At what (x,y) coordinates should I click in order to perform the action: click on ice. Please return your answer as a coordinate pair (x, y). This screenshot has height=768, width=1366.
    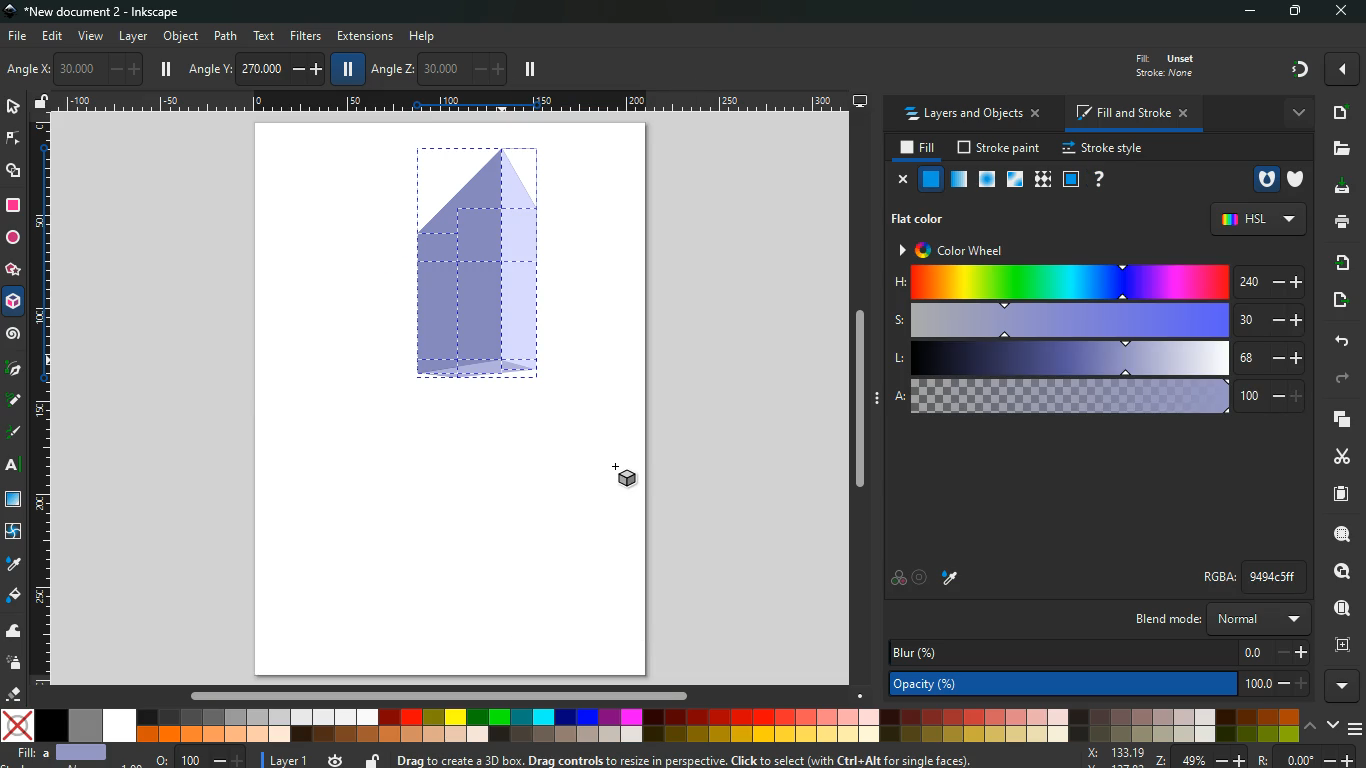
    Looking at the image, I should click on (985, 181).